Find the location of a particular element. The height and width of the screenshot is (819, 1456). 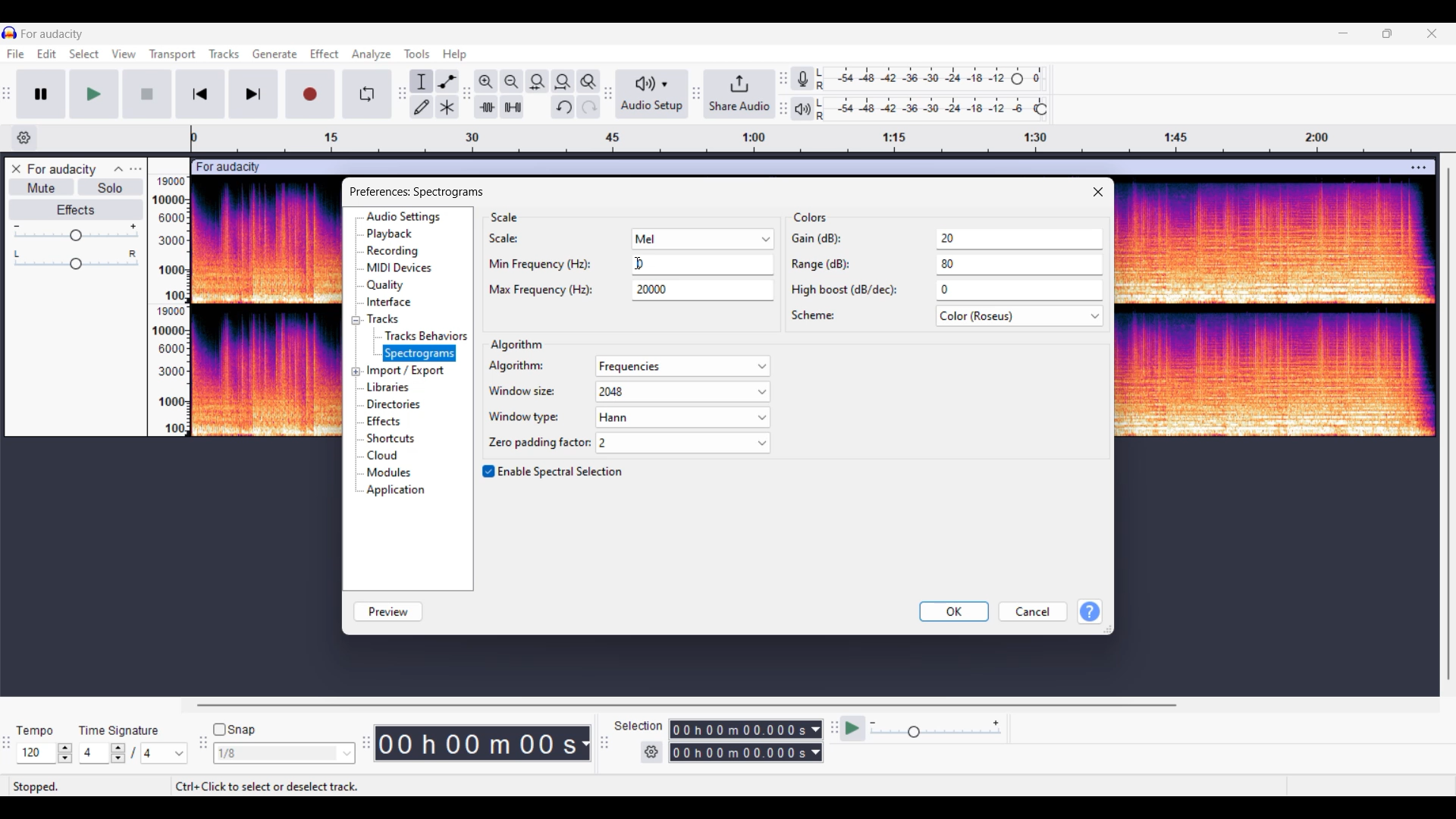

tracks behaviors is located at coordinates (424, 335).